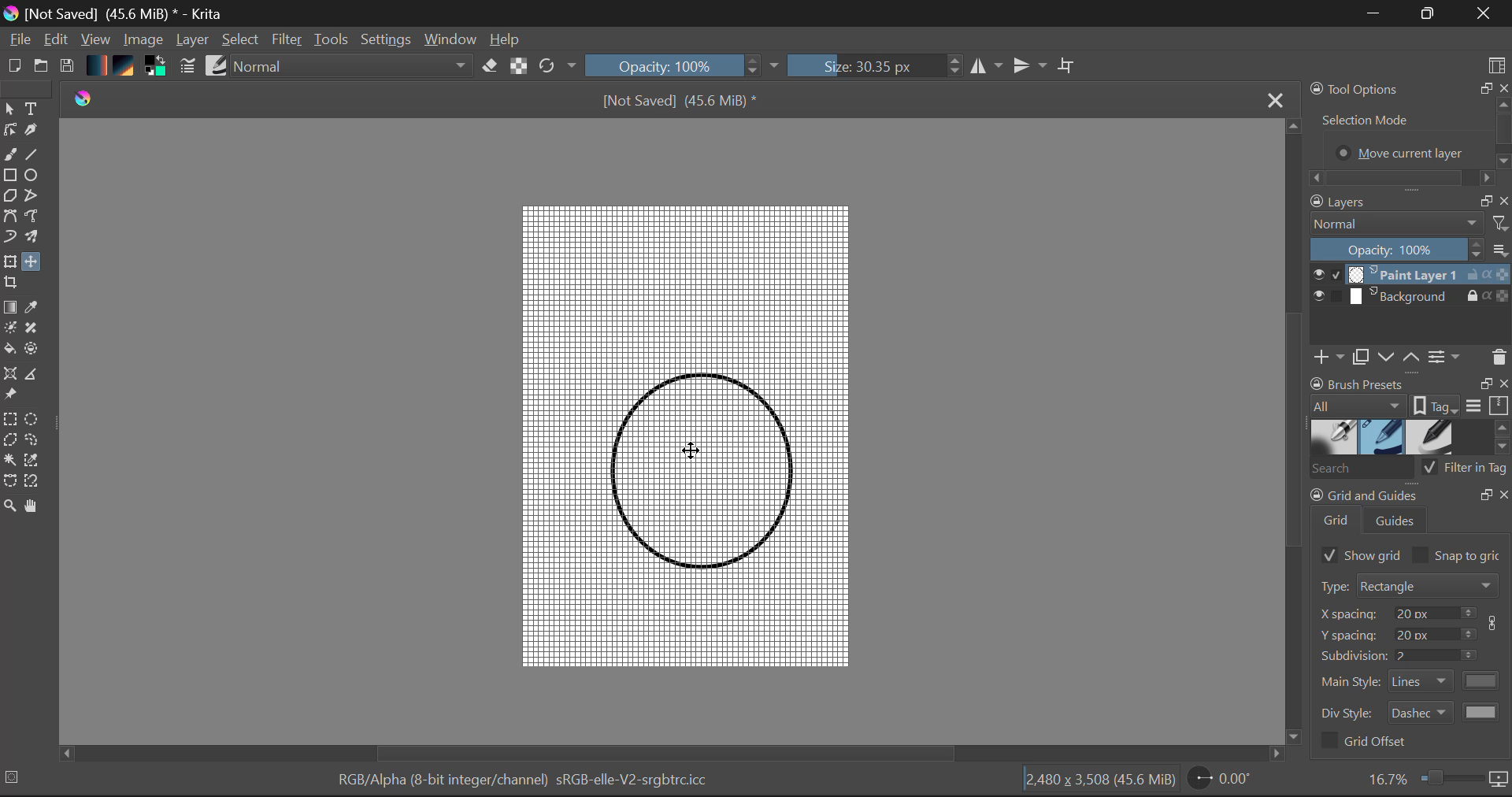  Describe the element at coordinates (1429, 13) in the screenshot. I see `Minimize` at that location.